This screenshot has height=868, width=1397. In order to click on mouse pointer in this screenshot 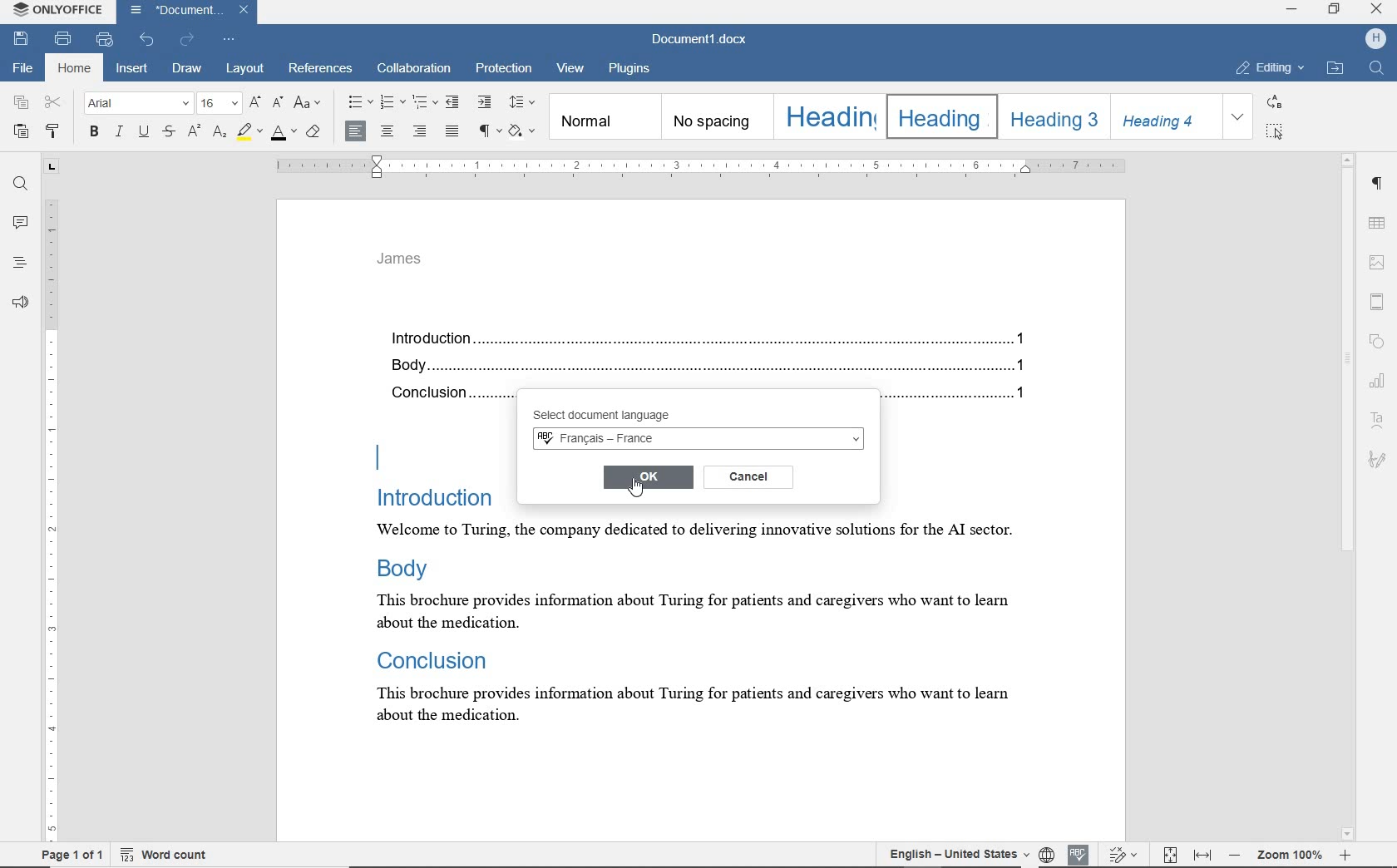, I will do `click(643, 491)`.